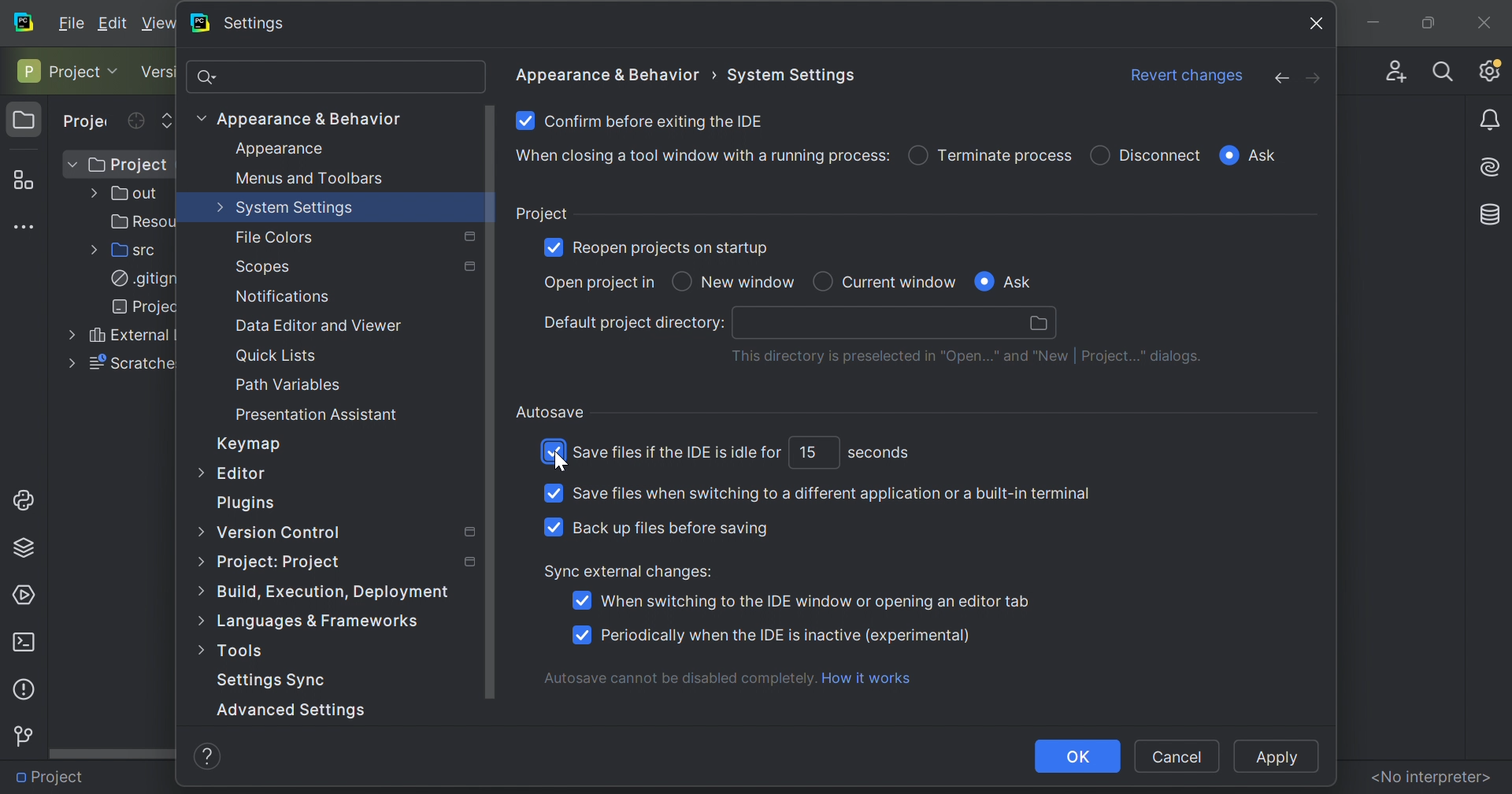 This screenshot has width=1512, height=794. I want to click on More, so click(90, 195).